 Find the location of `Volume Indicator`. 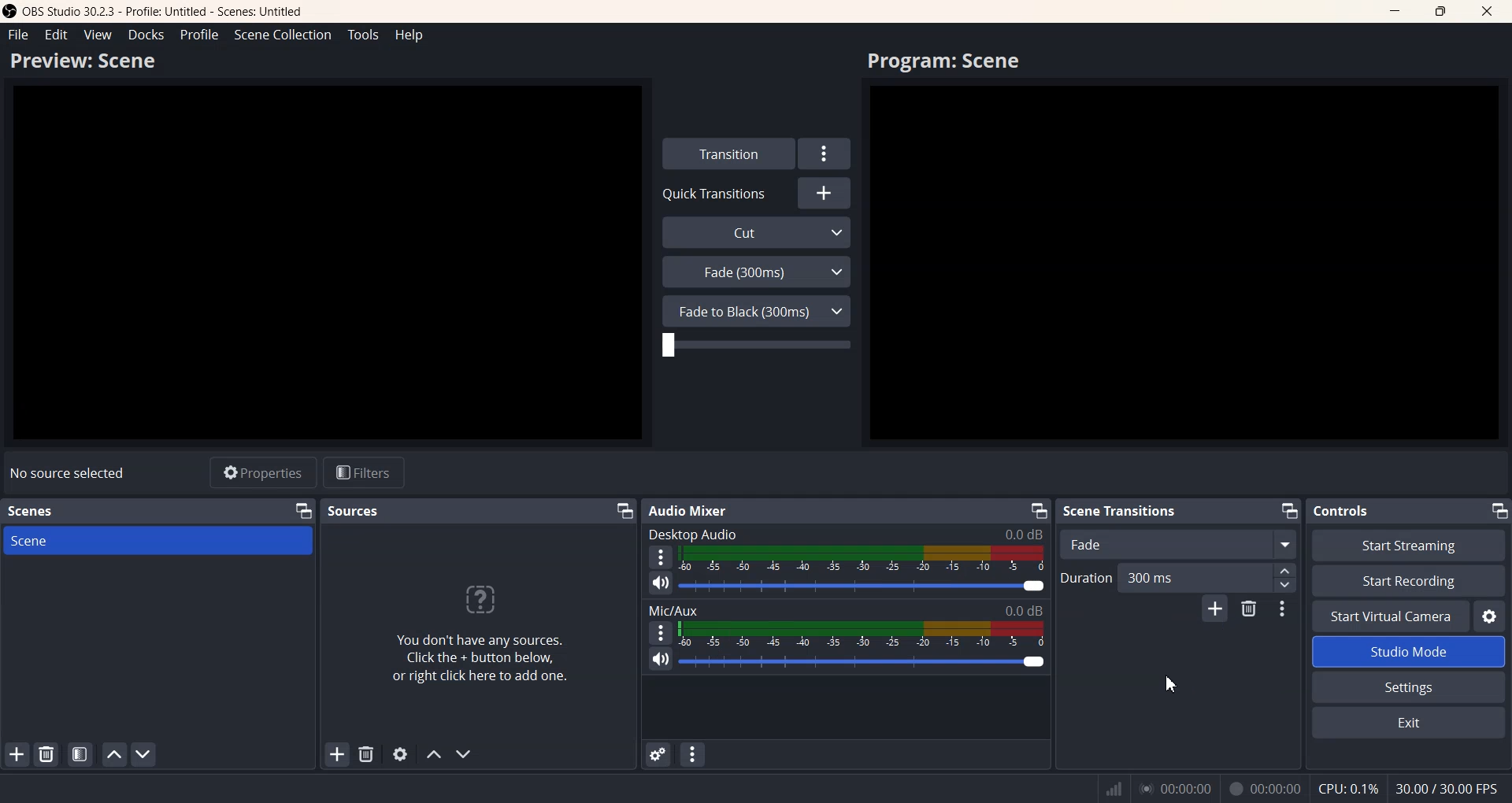

Volume Indicator is located at coordinates (863, 635).